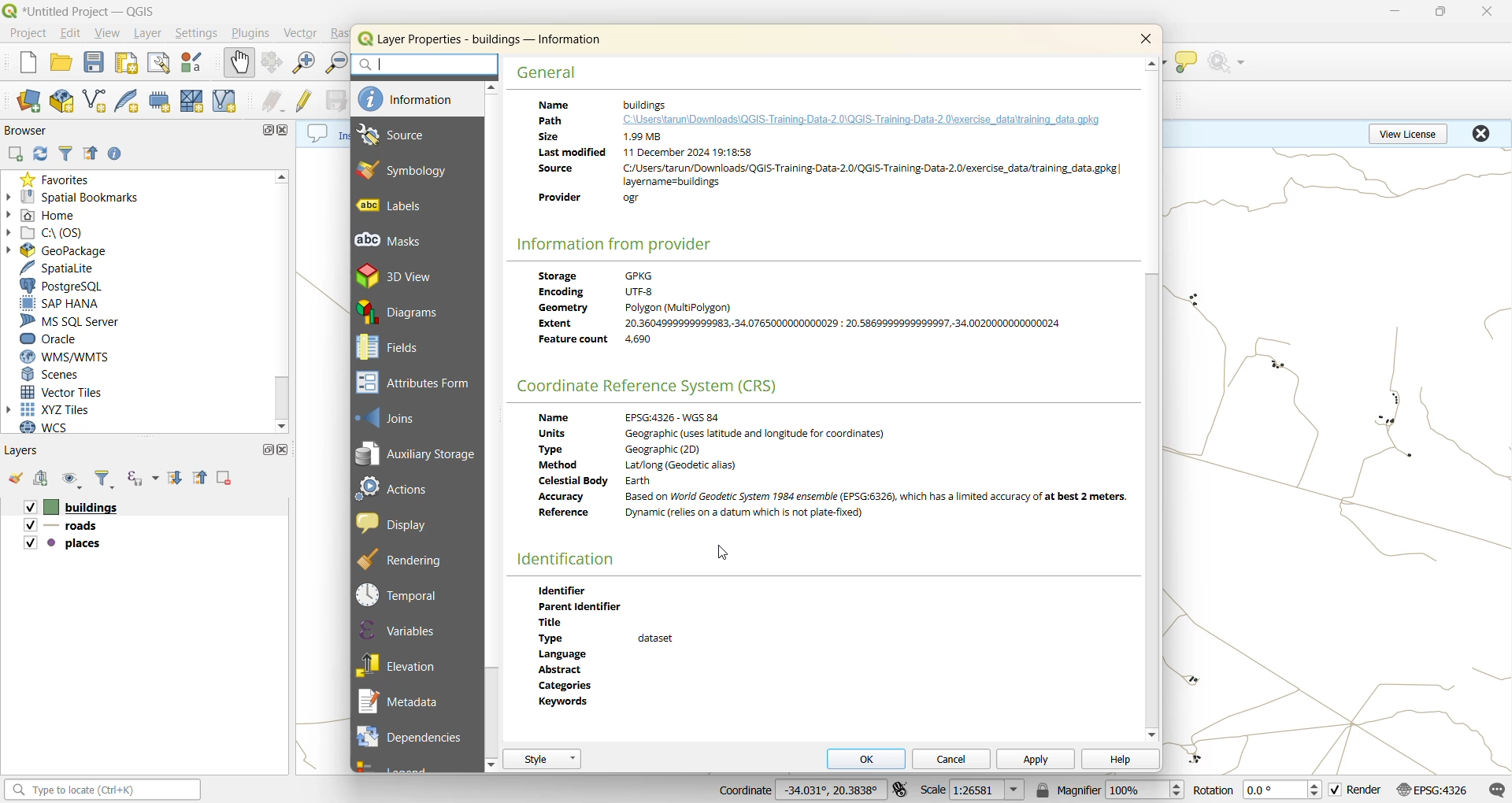 Image resolution: width=1512 pixels, height=803 pixels. Describe the element at coordinates (105, 791) in the screenshot. I see `status bar` at that location.